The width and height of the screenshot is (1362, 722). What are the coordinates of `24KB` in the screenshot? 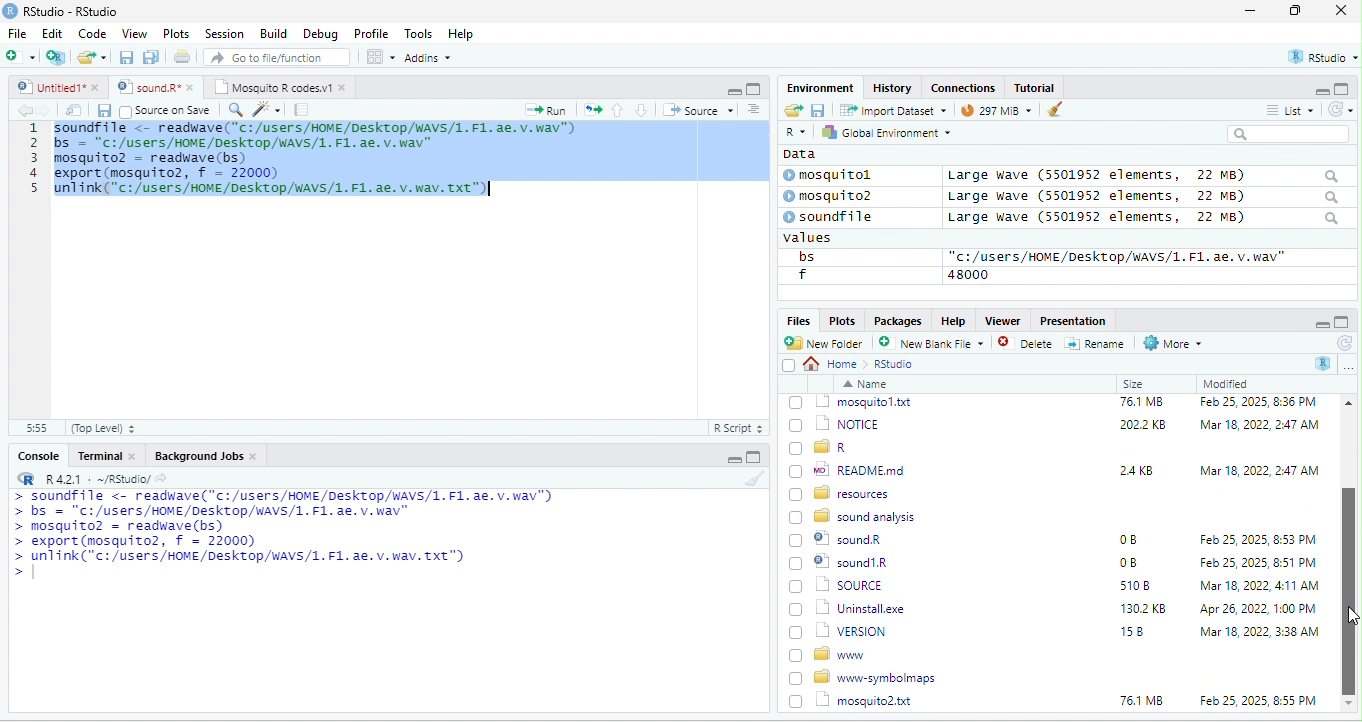 It's located at (1133, 588).